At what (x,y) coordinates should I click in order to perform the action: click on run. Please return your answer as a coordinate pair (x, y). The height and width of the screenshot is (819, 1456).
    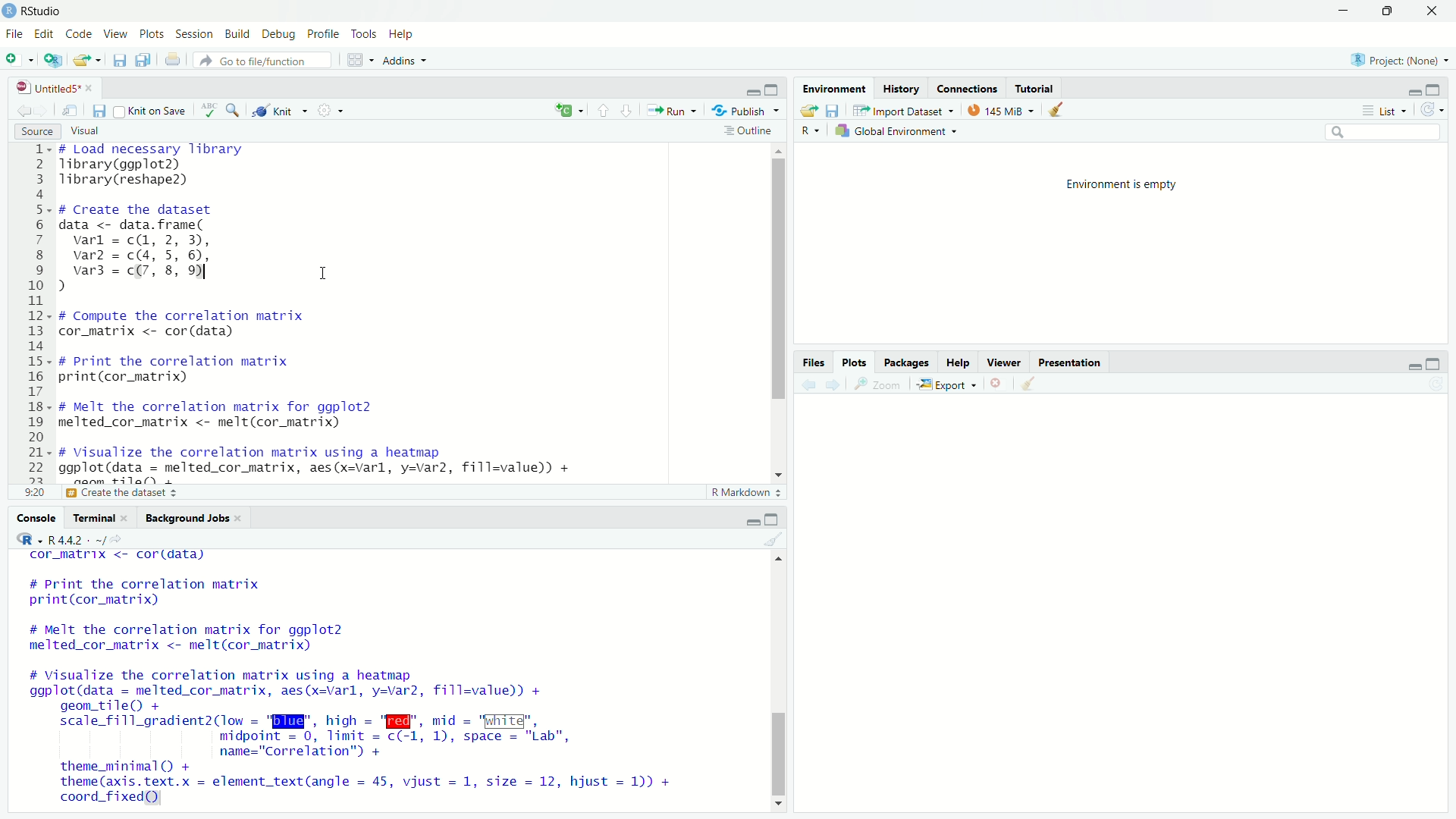
    Looking at the image, I should click on (670, 111).